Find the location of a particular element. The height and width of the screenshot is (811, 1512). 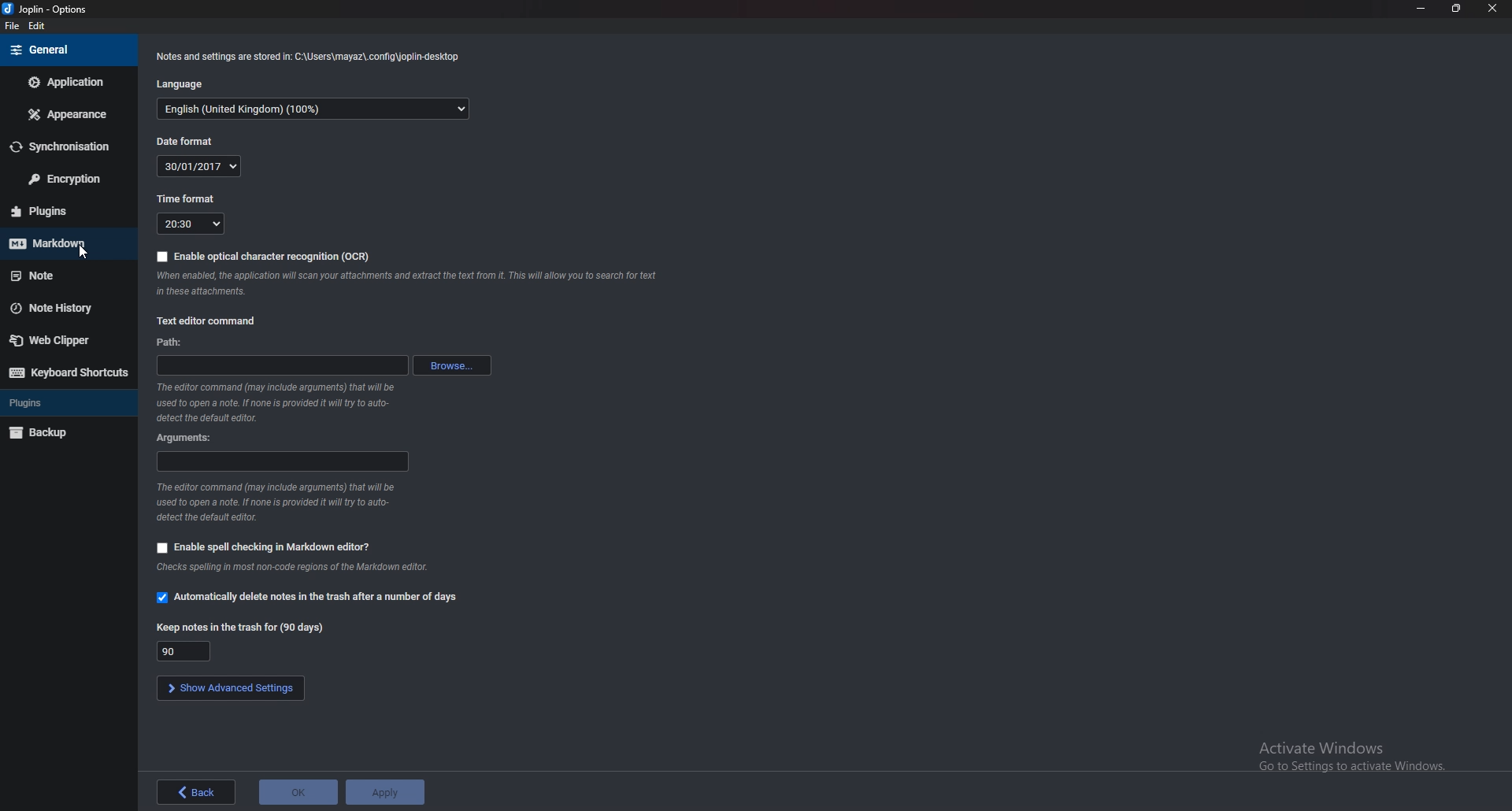

30/01/2017 is located at coordinates (202, 165).